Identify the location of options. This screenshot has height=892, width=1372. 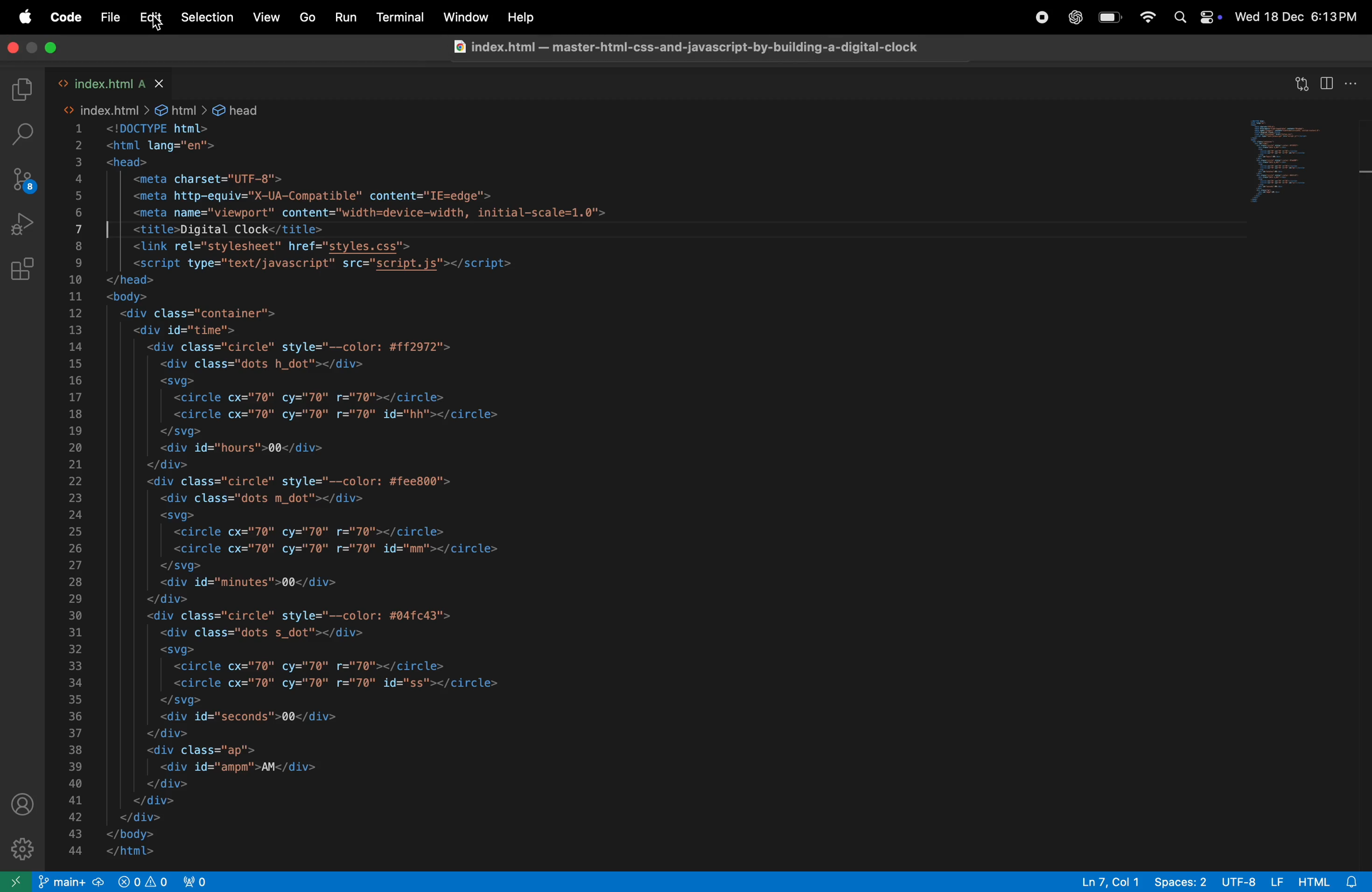
(1354, 82).